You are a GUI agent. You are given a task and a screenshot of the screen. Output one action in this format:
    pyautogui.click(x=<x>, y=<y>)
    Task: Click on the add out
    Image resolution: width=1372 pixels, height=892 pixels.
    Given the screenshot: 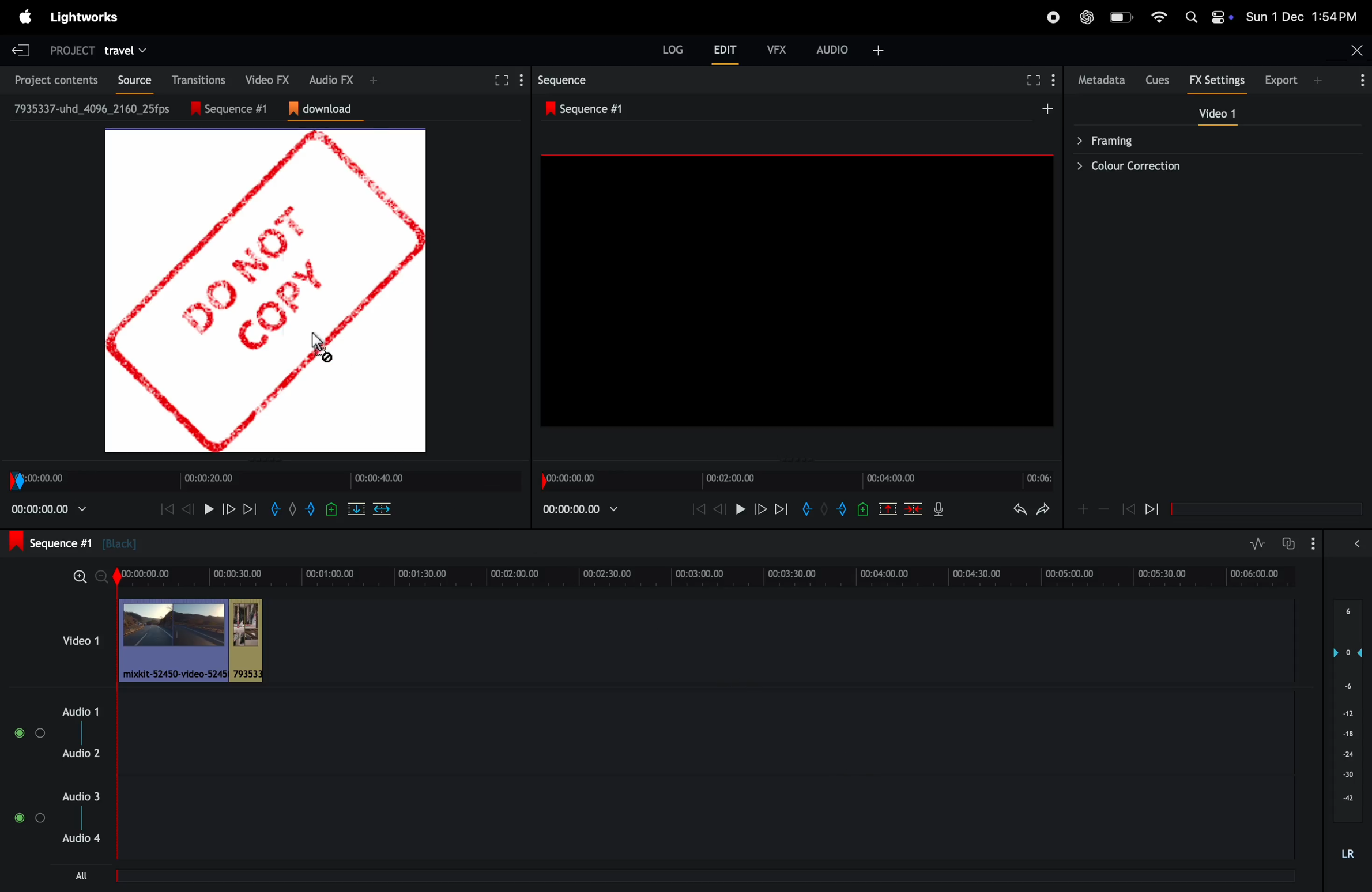 What is the action you would take?
    pyautogui.click(x=843, y=509)
    